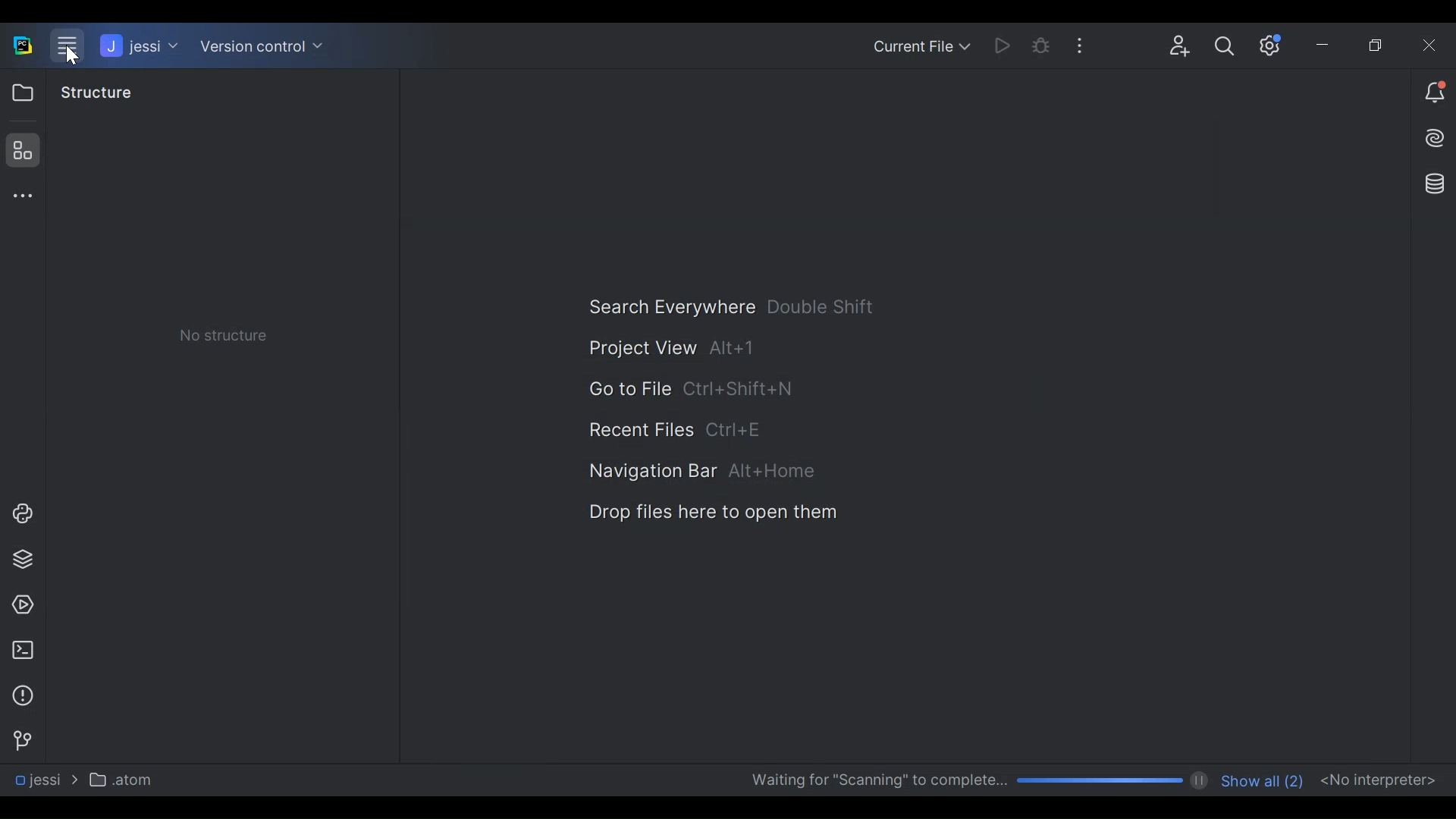 This screenshot has width=1456, height=819. I want to click on Go to File, so click(661, 389).